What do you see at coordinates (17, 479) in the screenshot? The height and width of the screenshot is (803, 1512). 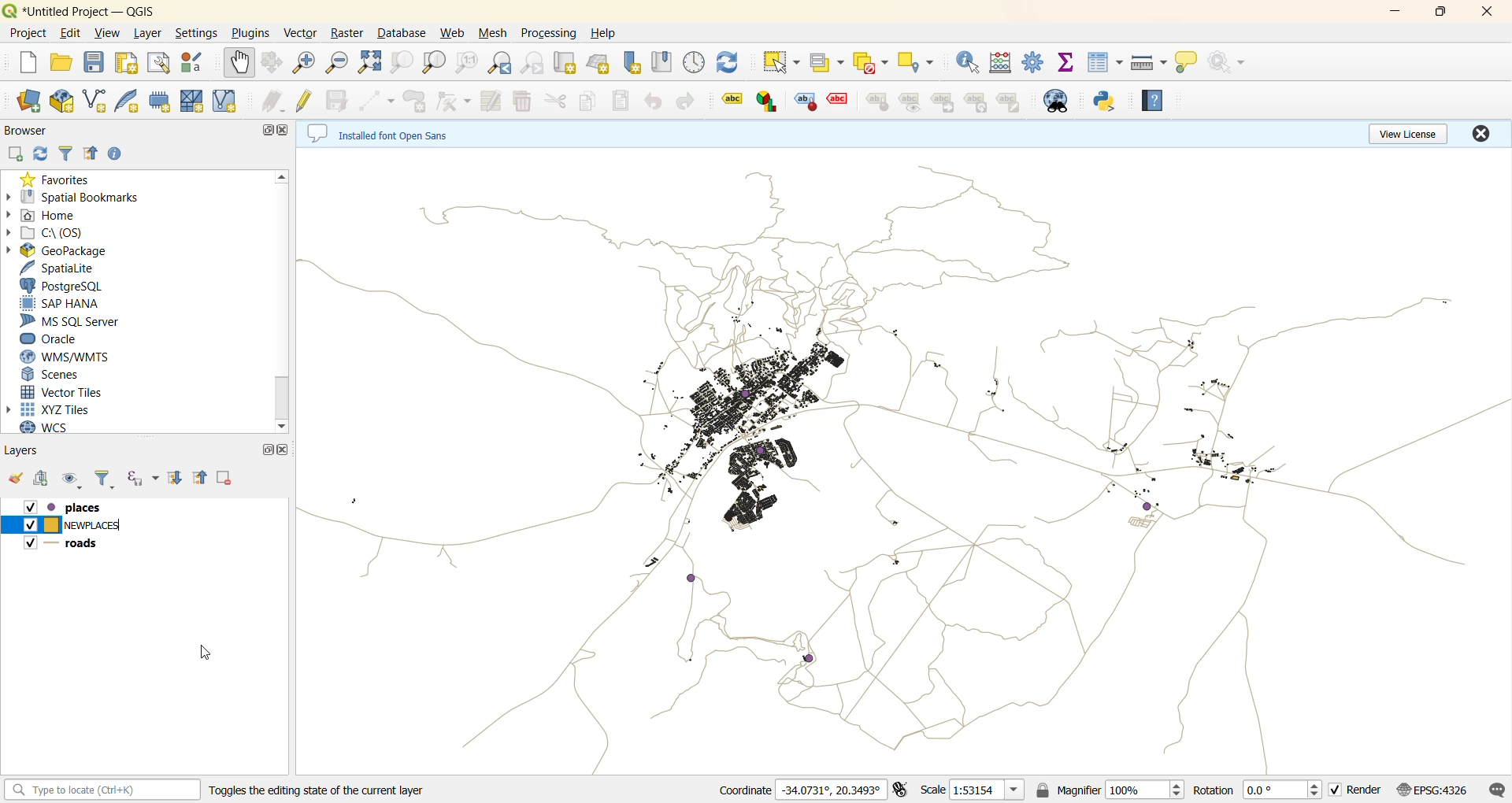 I see `open` at bounding box center [17, 479].